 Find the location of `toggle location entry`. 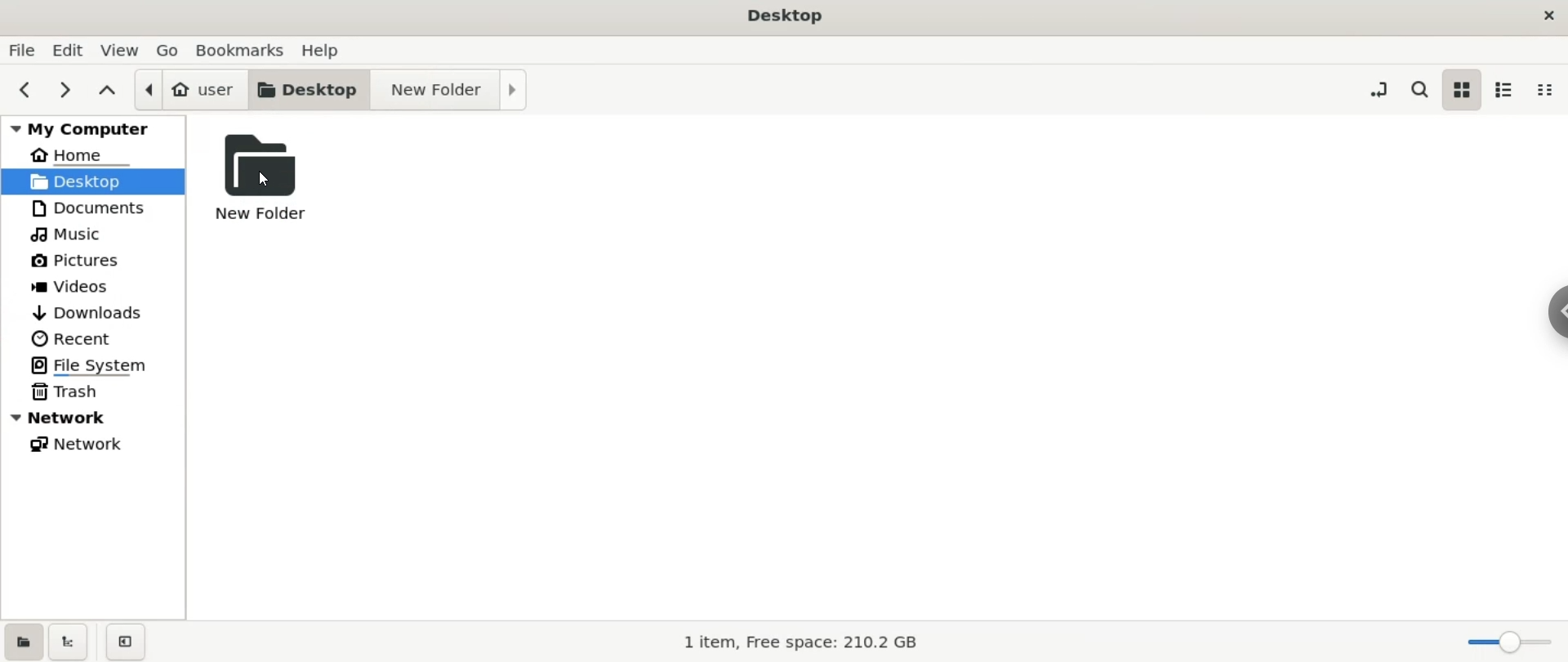

toggle location entry is located at coordinates (1379, 88).